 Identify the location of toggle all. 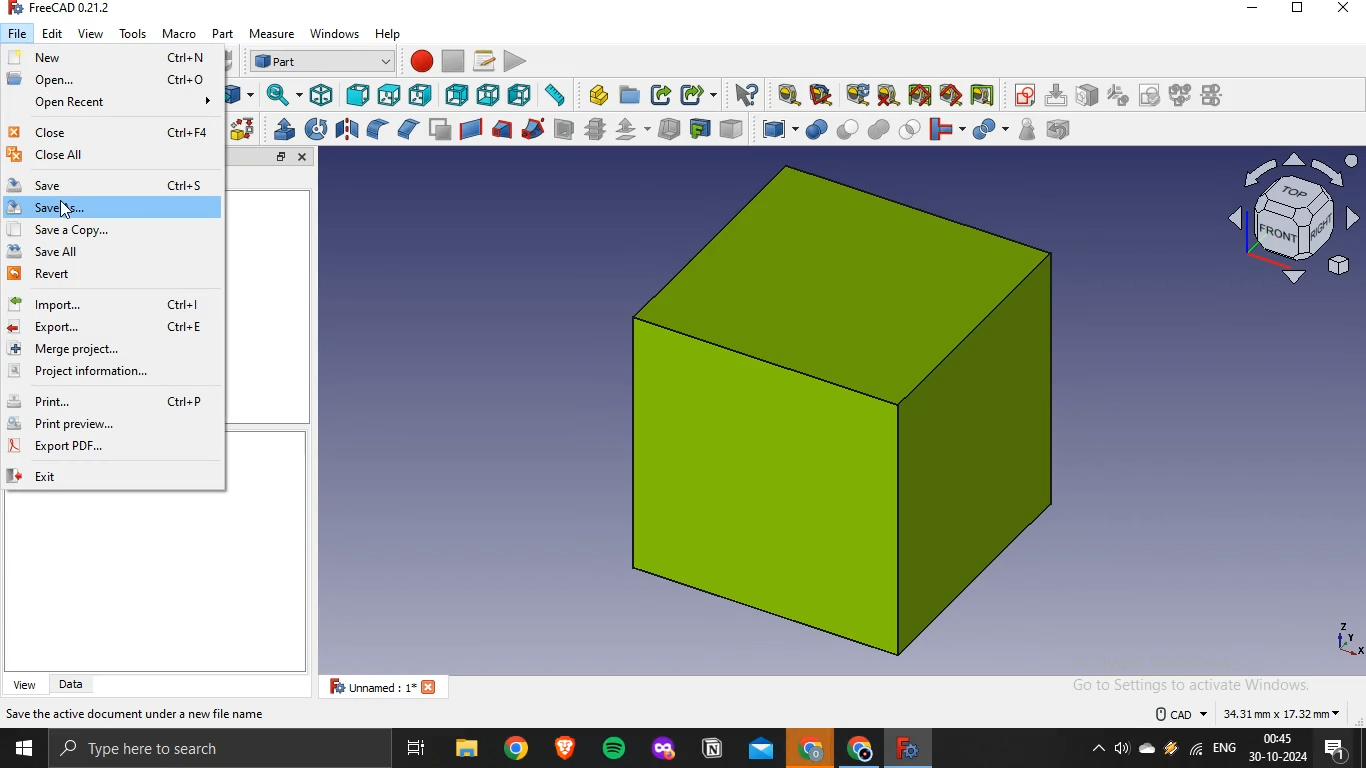
(919, 95).